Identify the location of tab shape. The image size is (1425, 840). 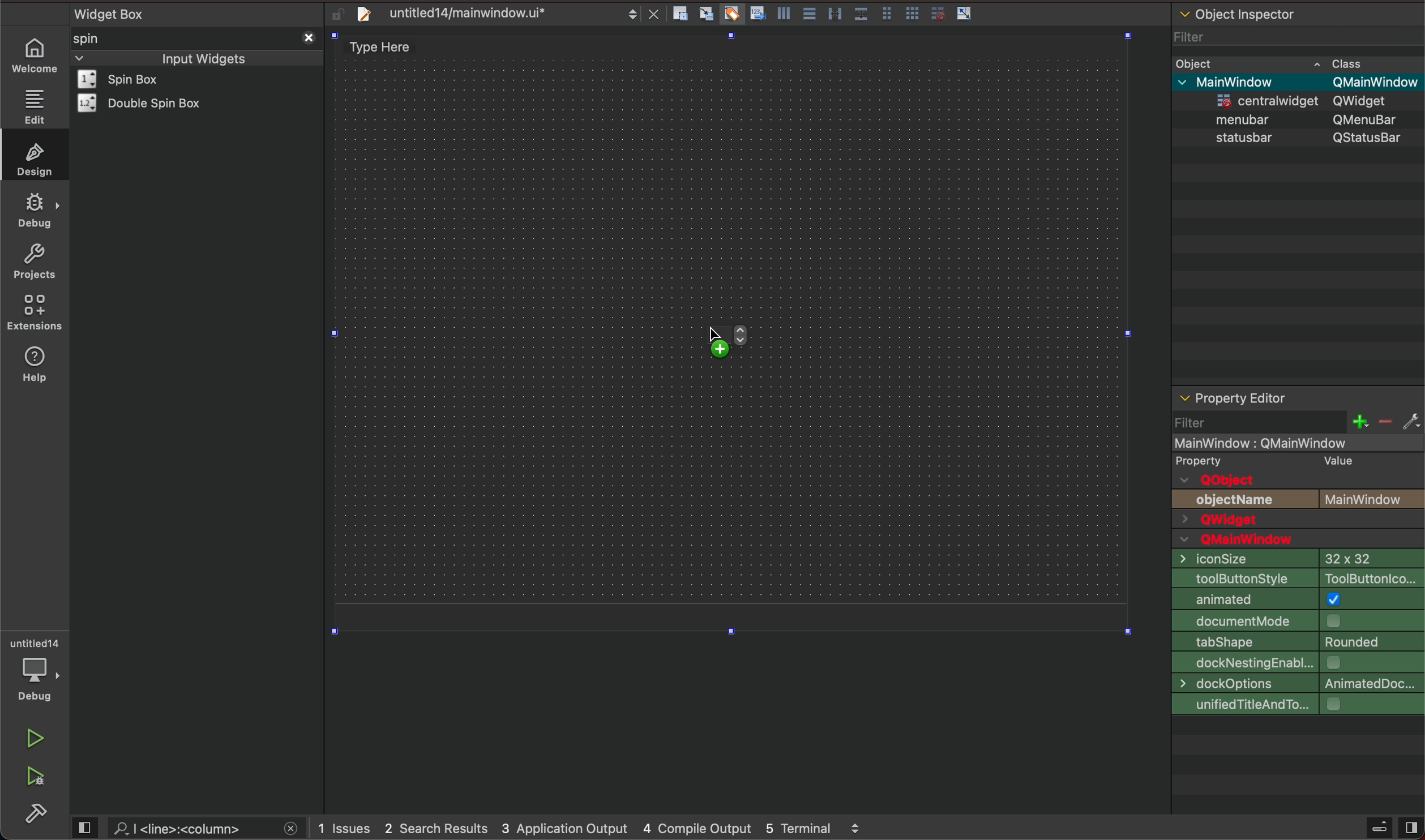
(1298, 641).